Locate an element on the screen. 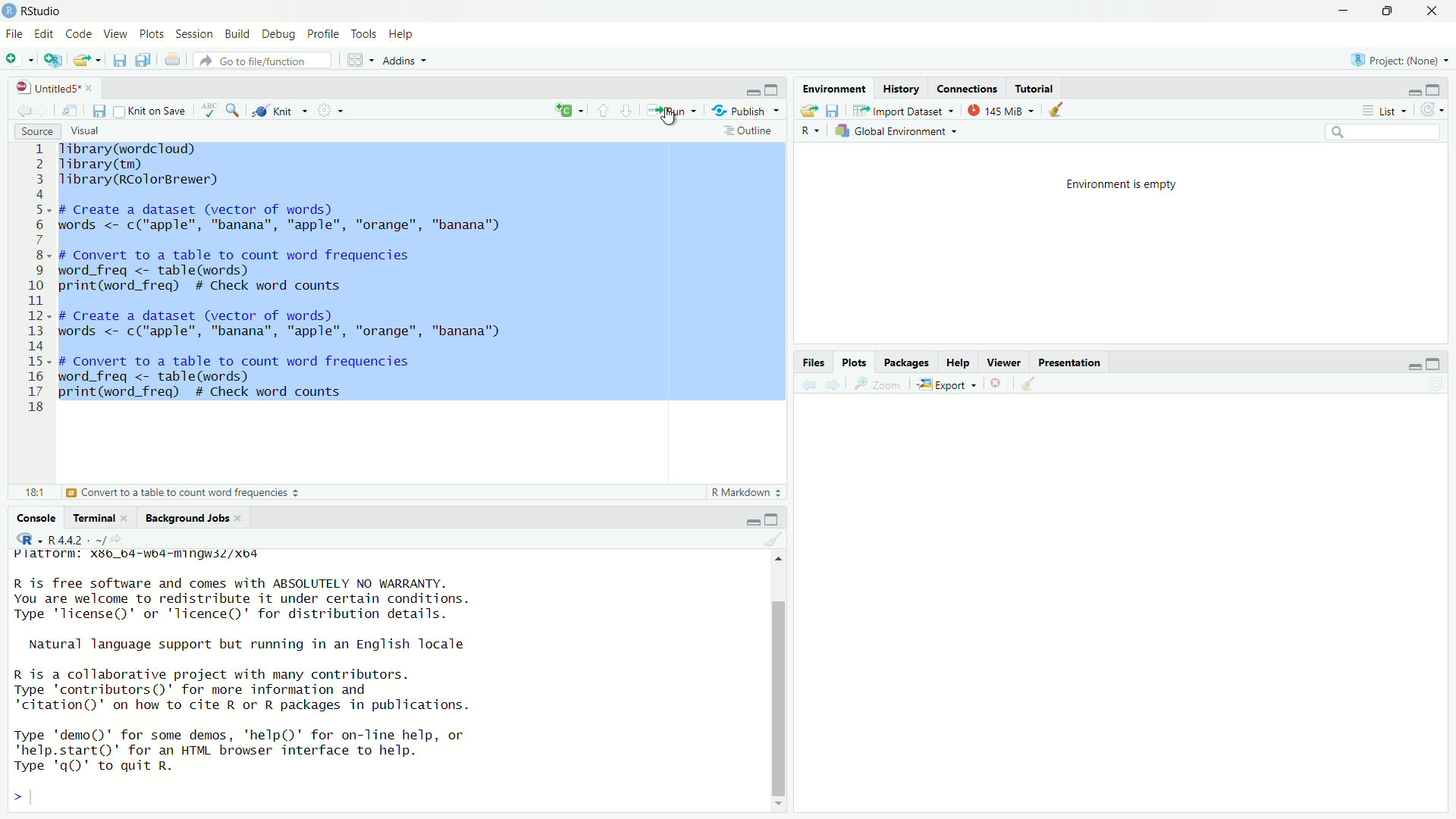 This screenshot has height=819, width=1456. New file is located at coordinates (20, 58).